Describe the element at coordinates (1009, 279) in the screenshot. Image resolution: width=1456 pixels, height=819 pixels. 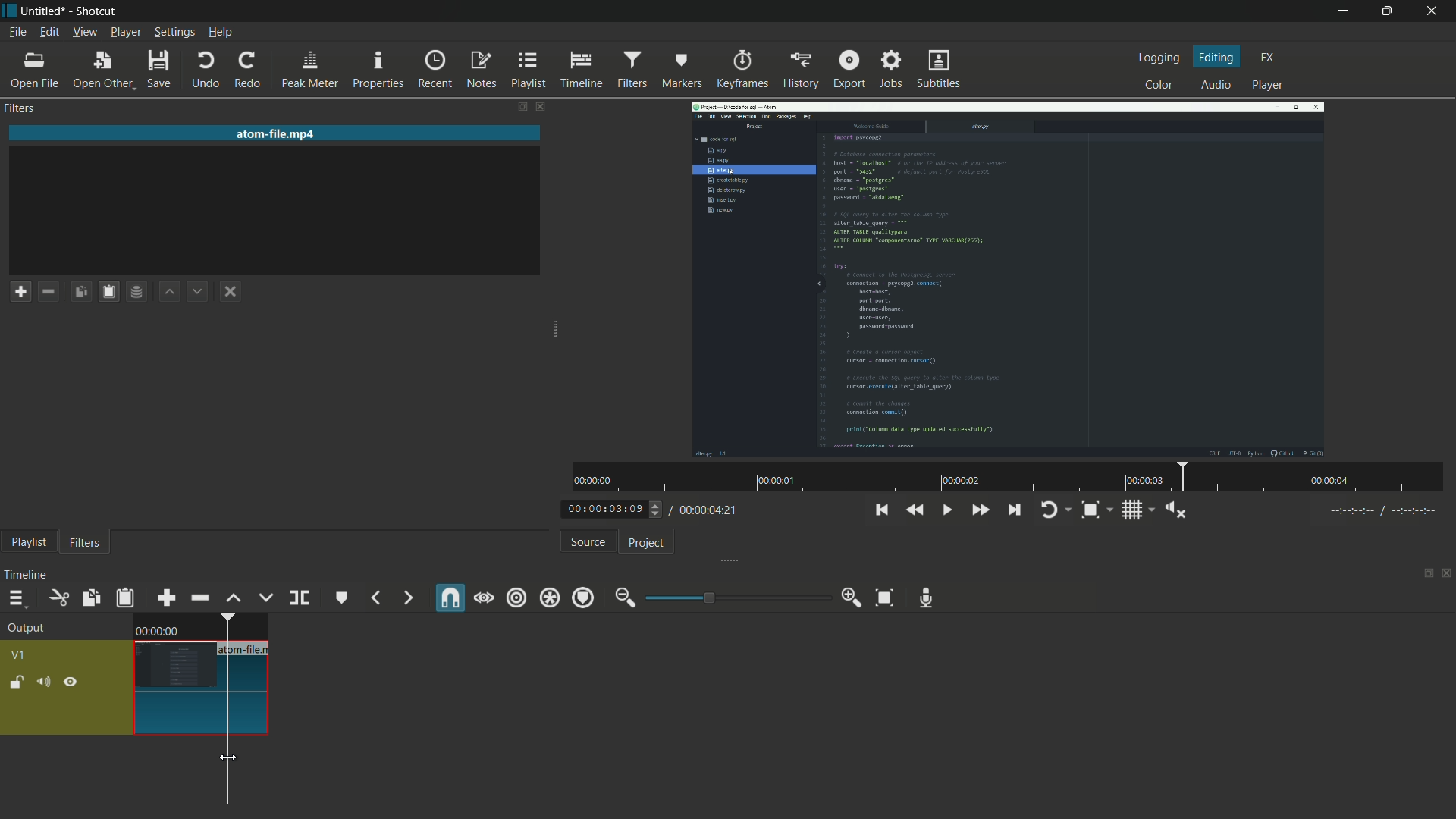
I see `imported file` at that location.